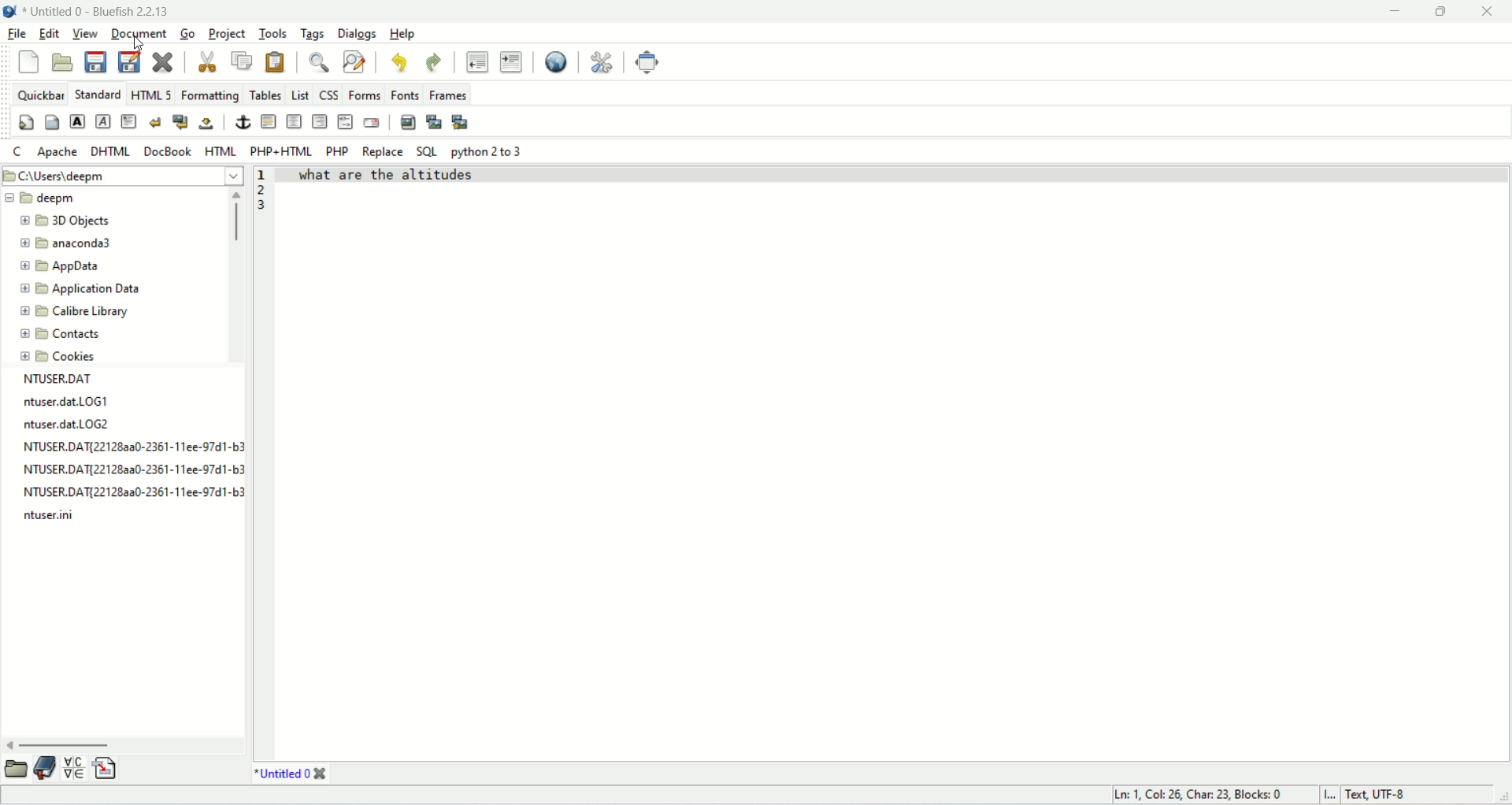 The image size is (1512, 805). What do you see at coordinates (346, 121) in the screenshot?
I see `HTML comment` at bounding box center [346, 121].